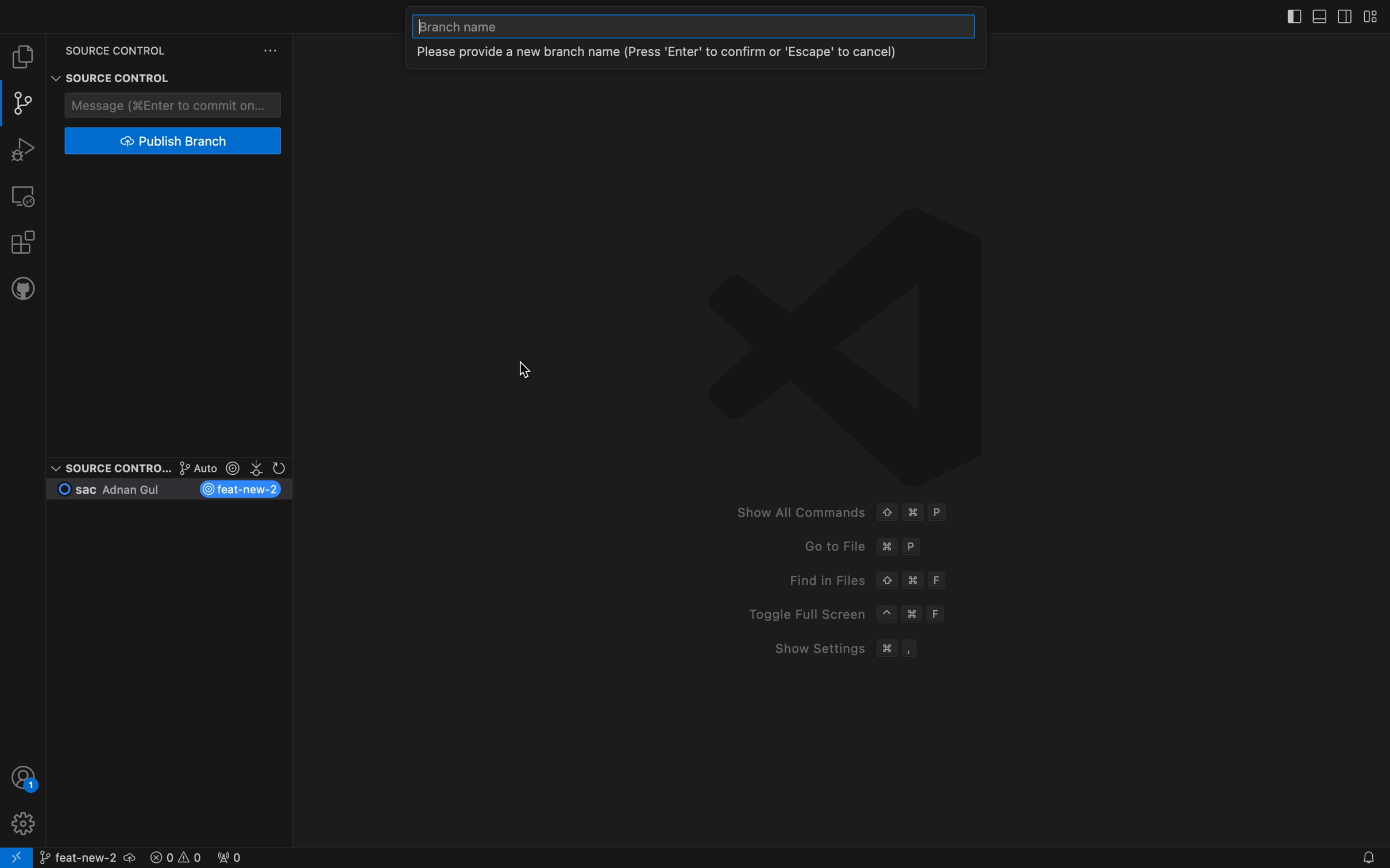  Describe the element at coordinates (272, 51) in the screenshot. I see `version control settings` at that location.